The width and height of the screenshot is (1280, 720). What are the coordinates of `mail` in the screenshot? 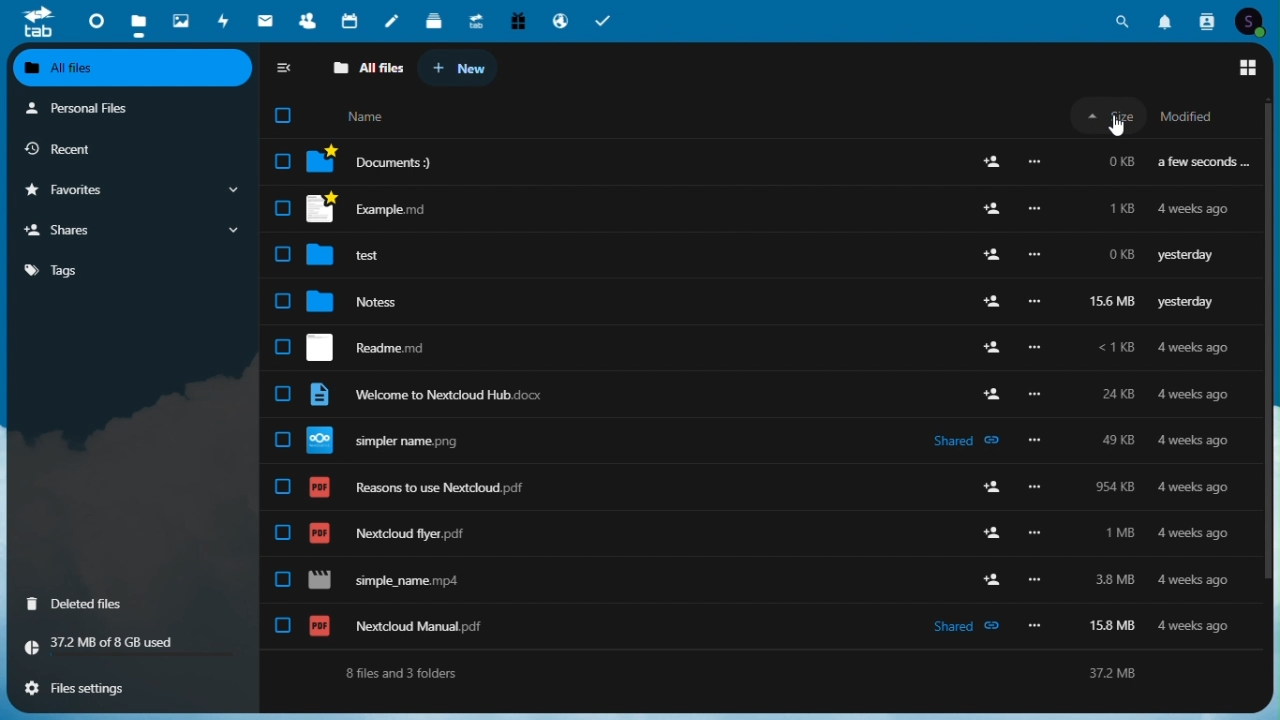 It's located at (265, 20).